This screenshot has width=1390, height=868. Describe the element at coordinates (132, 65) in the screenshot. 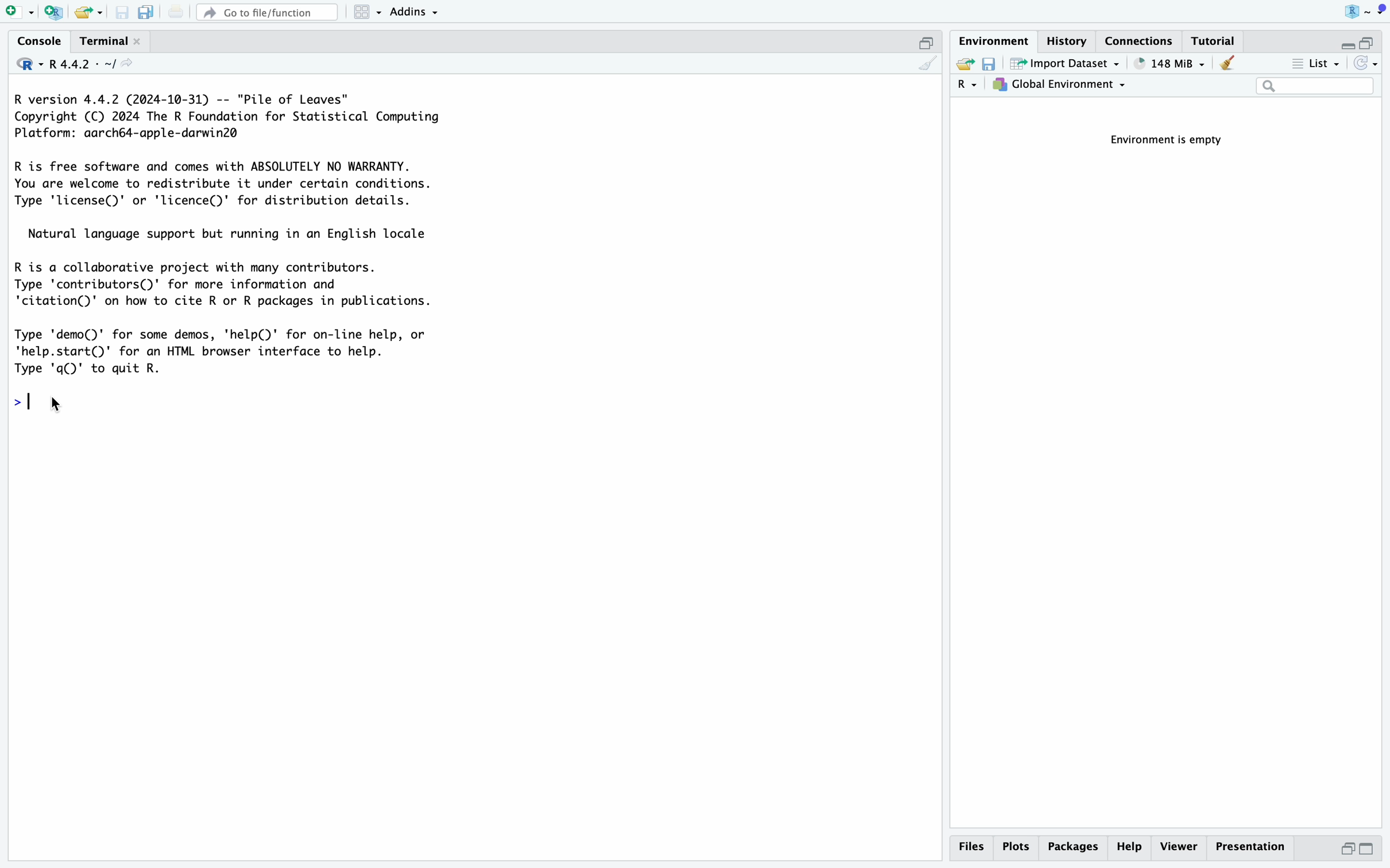

I see `view the current working directory` at that location.